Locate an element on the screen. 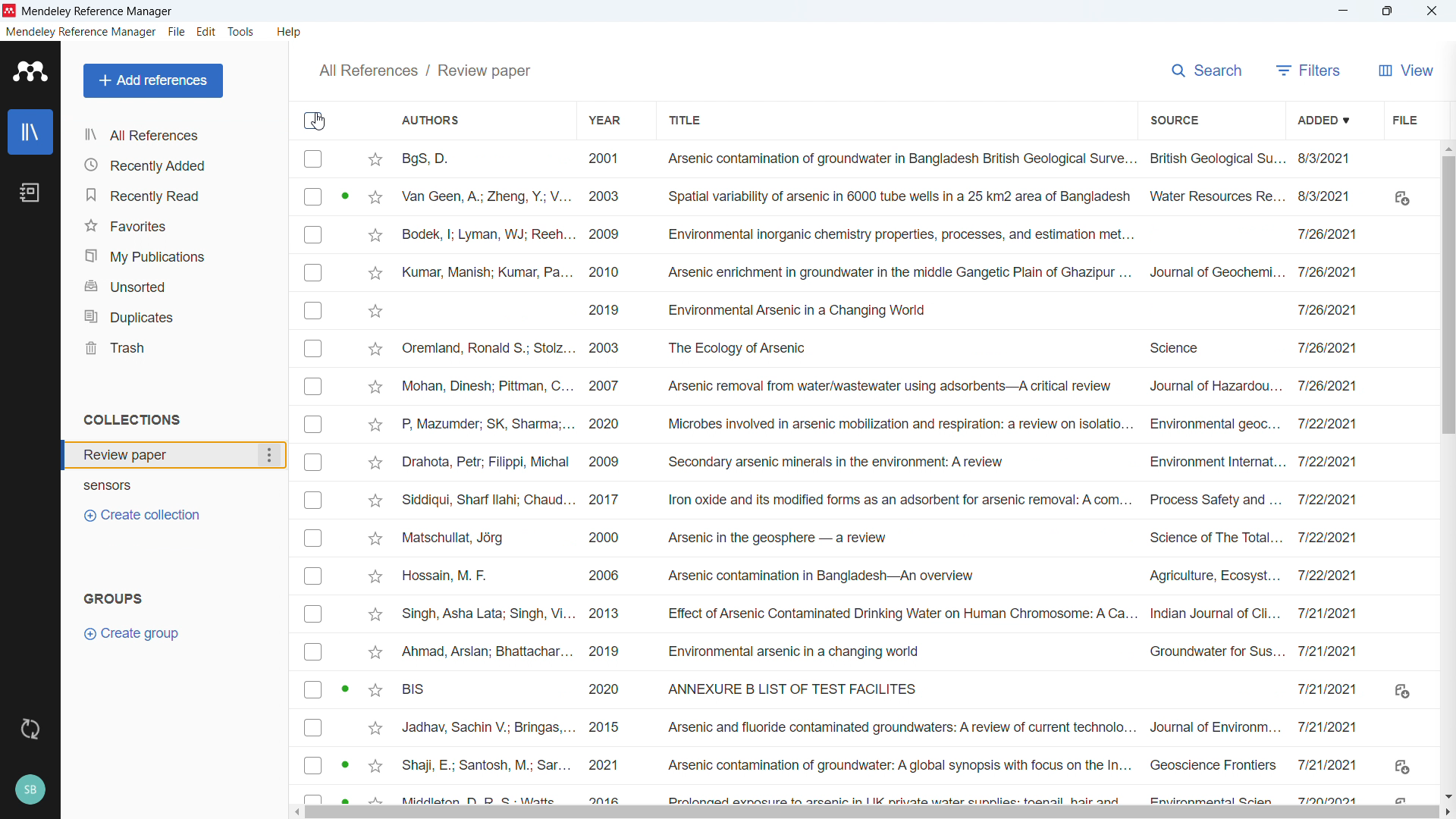  logo is located at coordinates (10, 11).